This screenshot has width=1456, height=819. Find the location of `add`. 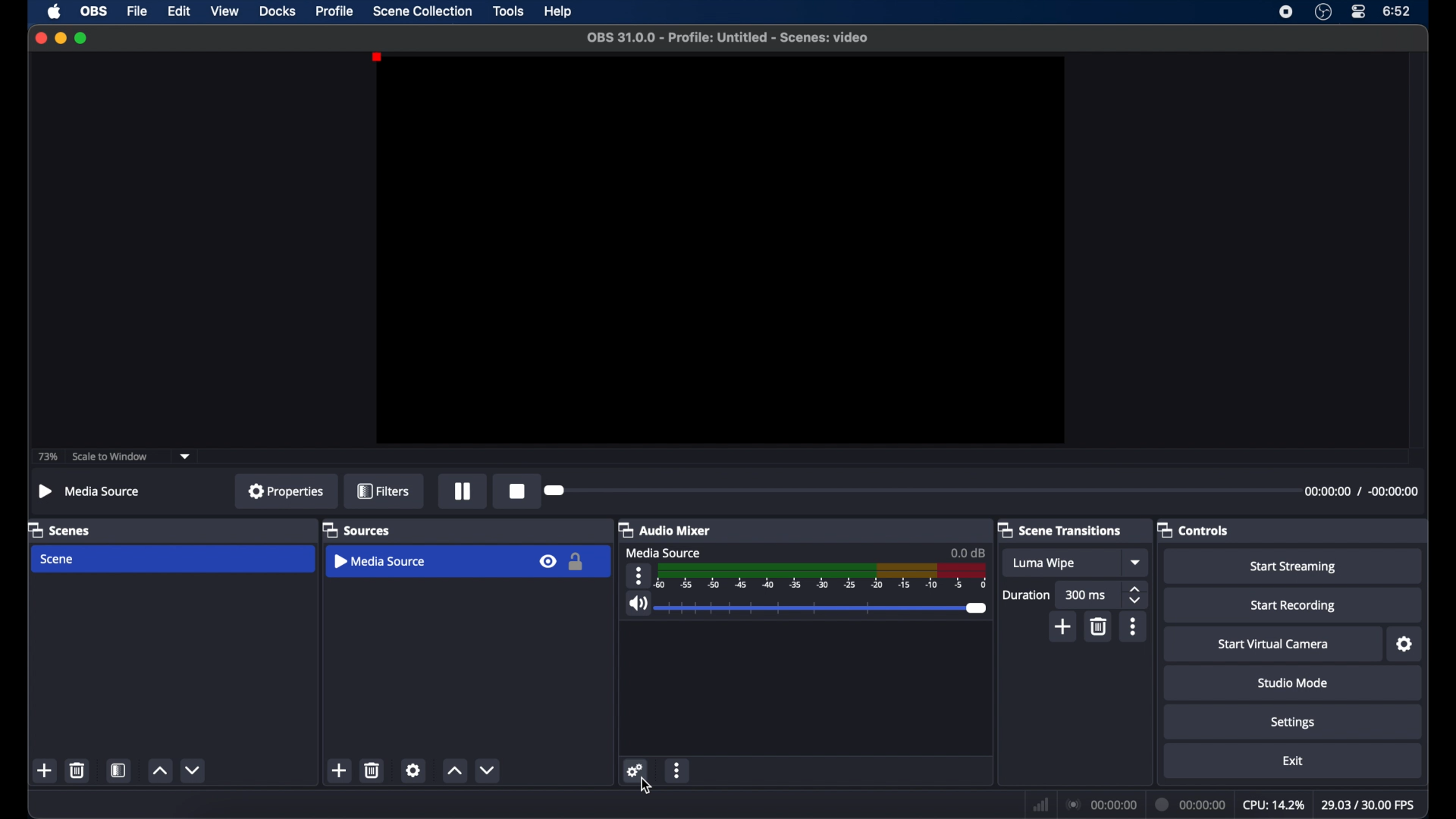

add is located at coordinates (44, 770).